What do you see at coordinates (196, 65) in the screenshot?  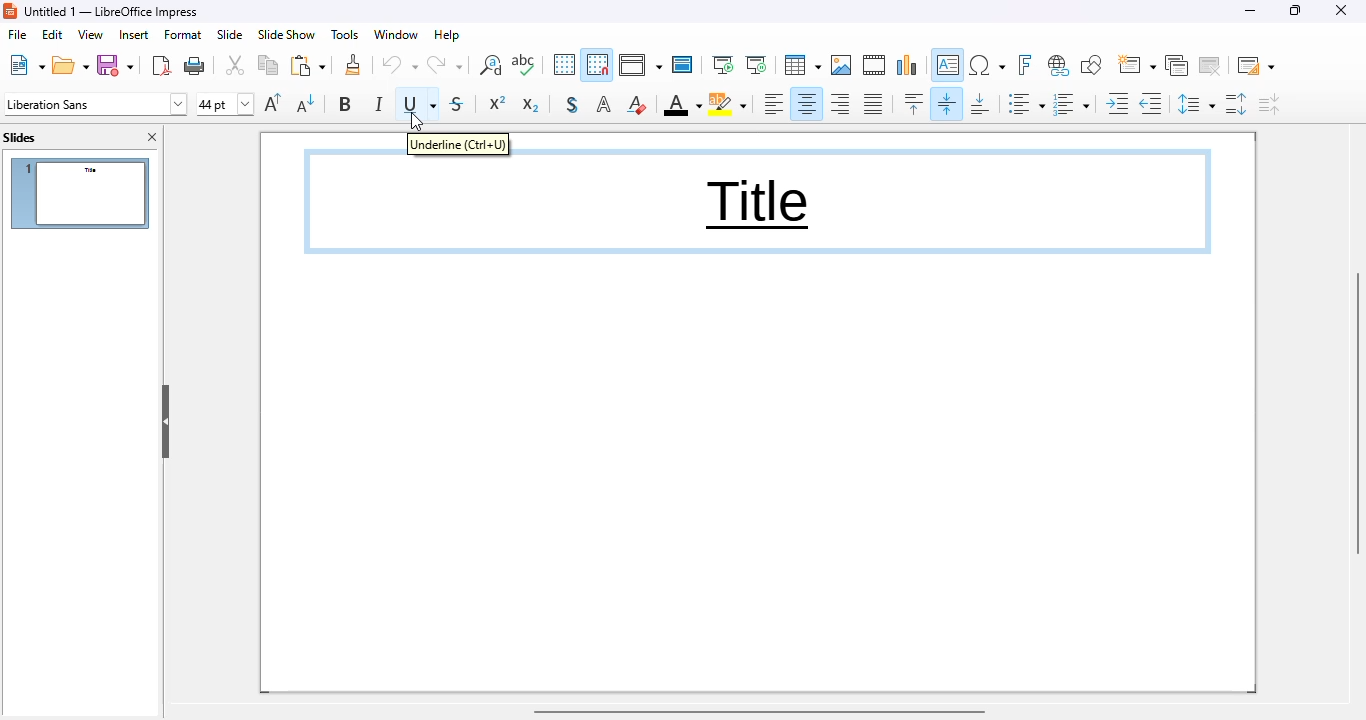 I see `print` at bounding box center [196, 65].